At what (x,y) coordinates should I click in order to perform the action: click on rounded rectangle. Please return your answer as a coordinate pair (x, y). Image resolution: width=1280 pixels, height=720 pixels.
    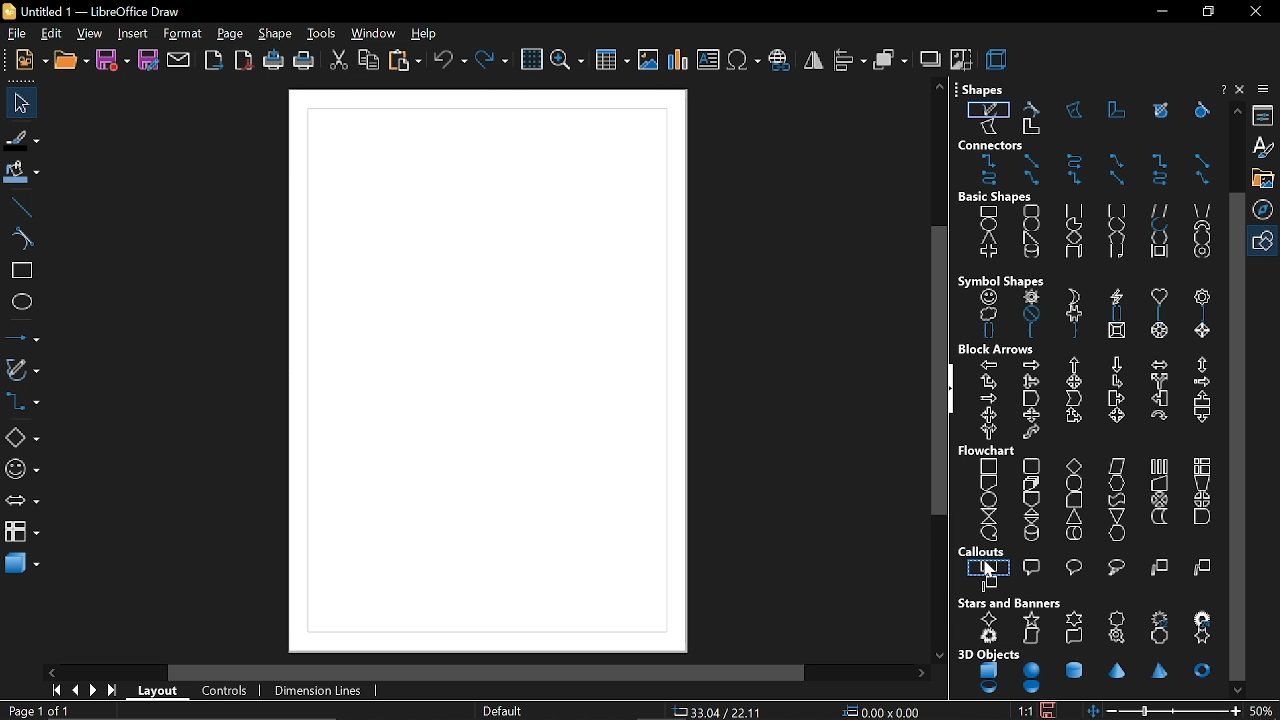
    Looking at the image, I should click on (1030, 211).